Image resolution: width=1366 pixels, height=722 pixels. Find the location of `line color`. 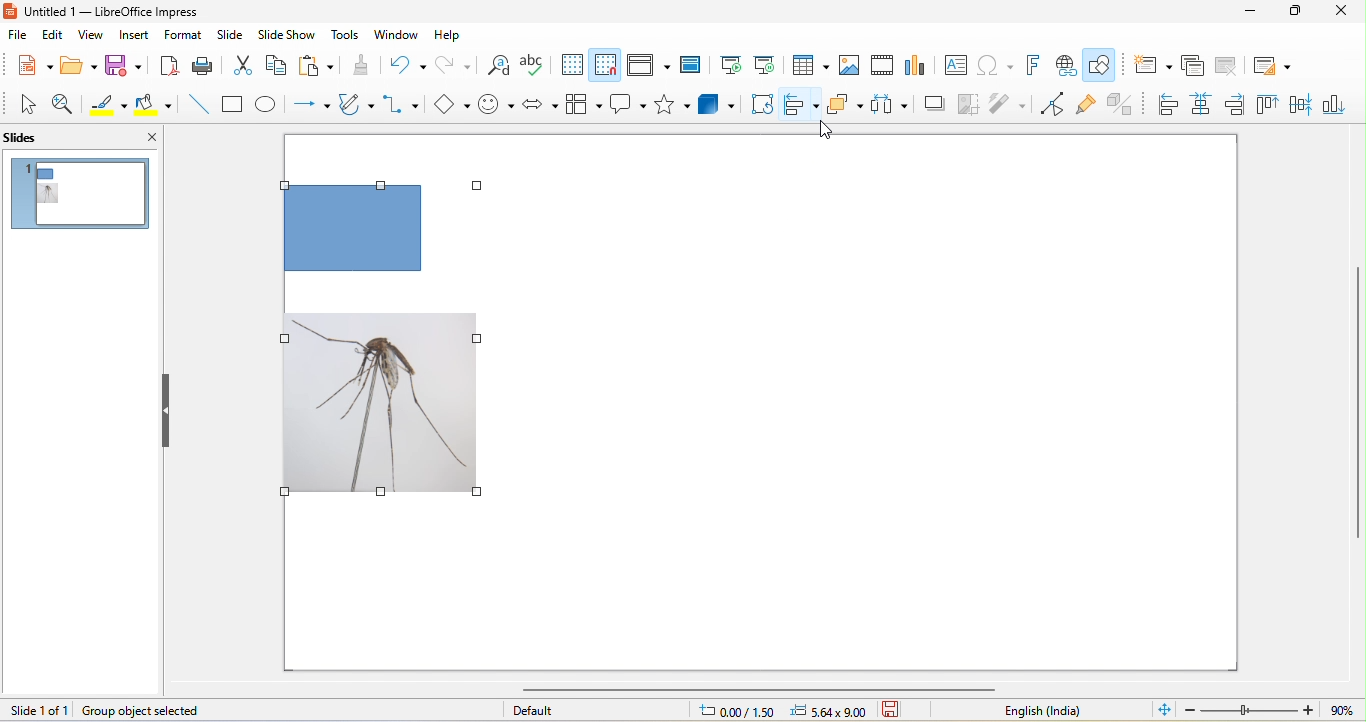

line color is located at coordinates (108, 104).